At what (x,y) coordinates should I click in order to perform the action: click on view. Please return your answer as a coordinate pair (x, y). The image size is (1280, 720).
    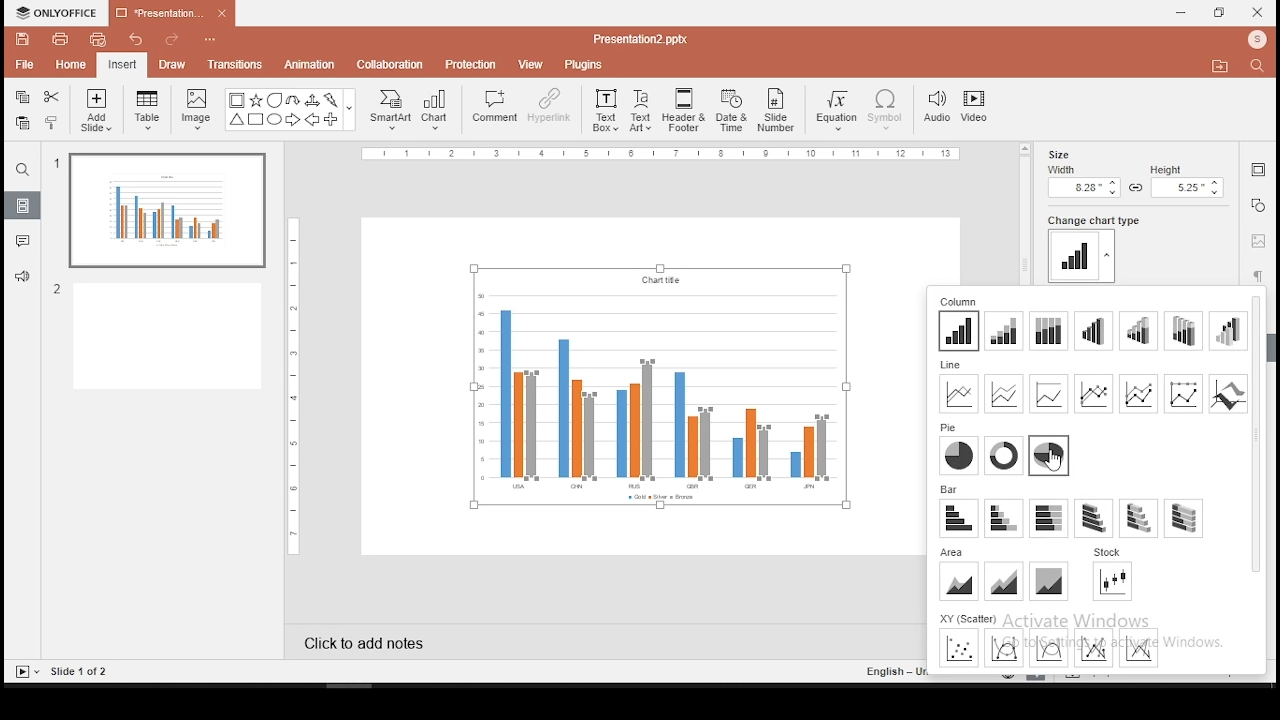
    Looking at the image, I should click on (532, 63).